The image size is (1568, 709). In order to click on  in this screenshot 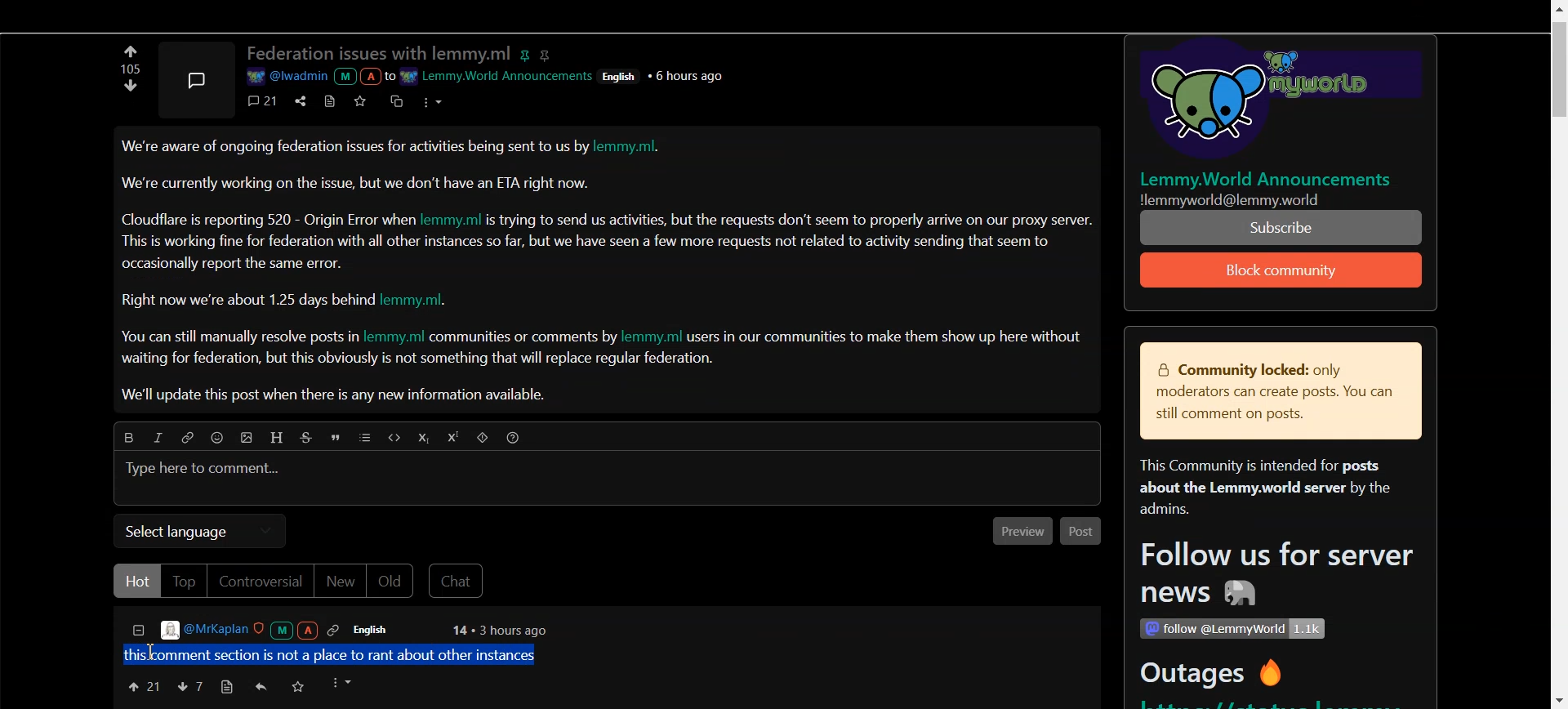, I will do `click(690, 75)`.